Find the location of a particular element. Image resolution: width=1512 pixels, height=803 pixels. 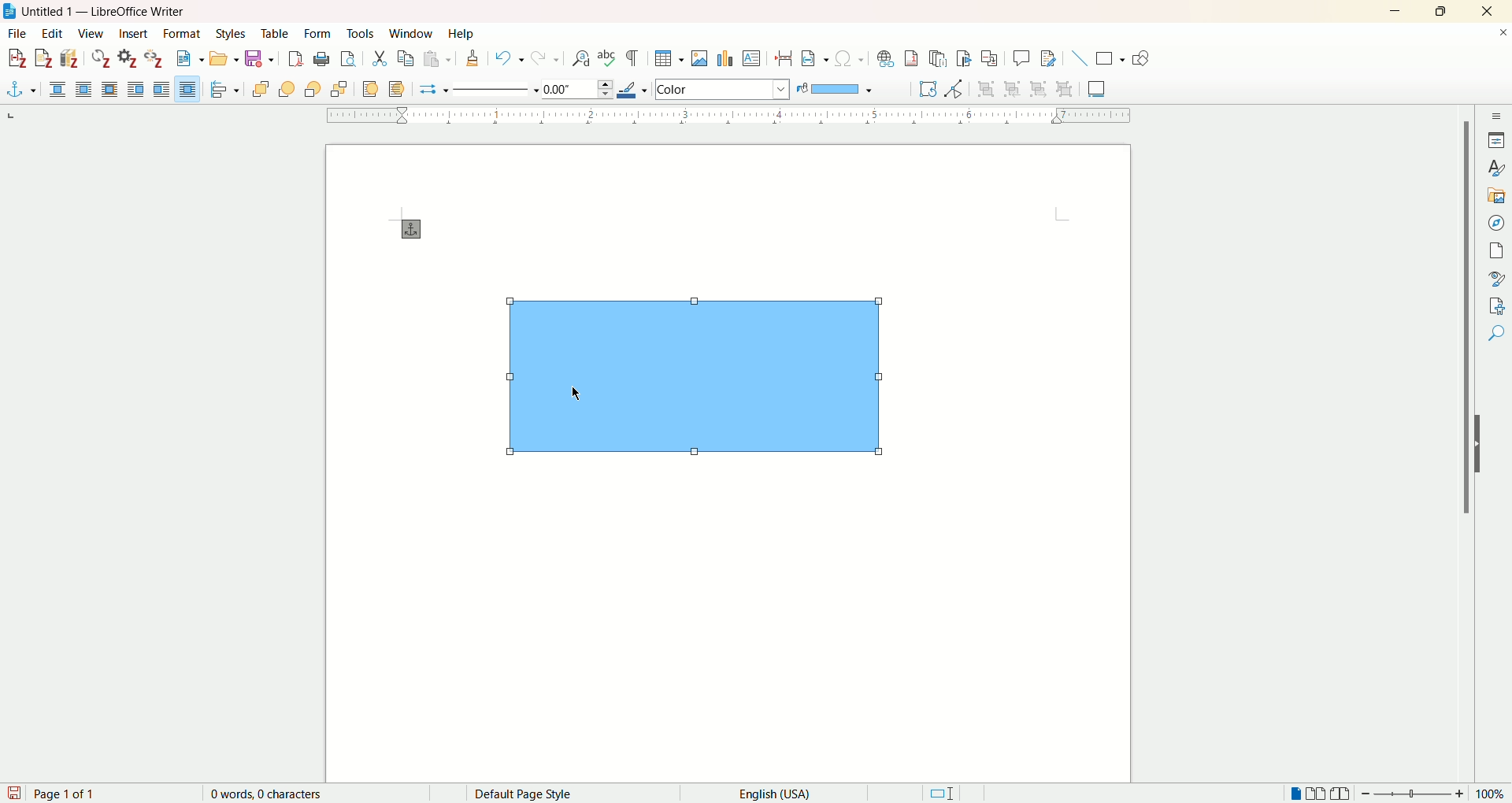

style is located at coordinates (1494, 167).